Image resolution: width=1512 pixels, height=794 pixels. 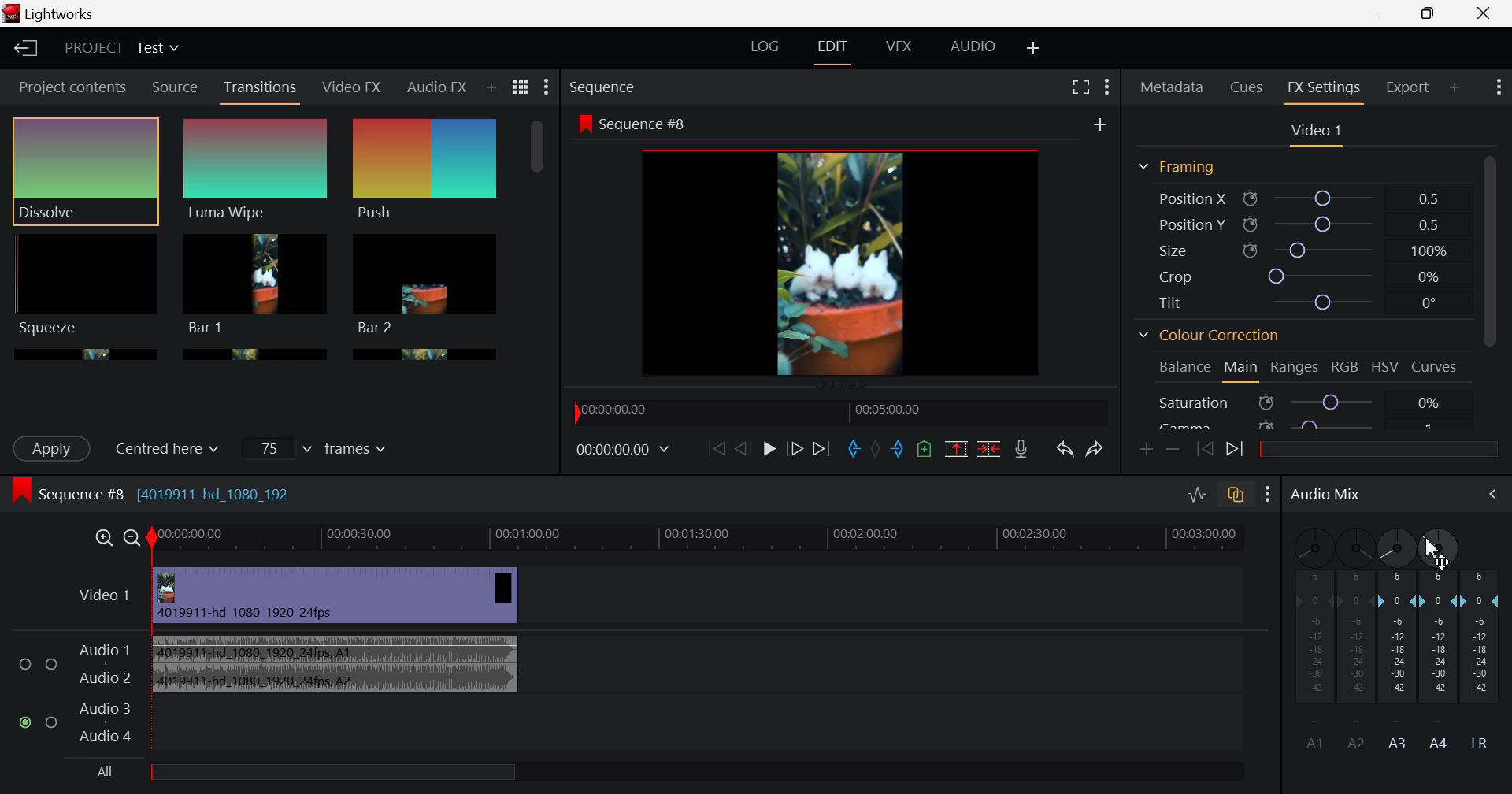 I want to click on Framing Section, so click(x=1180, y=167).